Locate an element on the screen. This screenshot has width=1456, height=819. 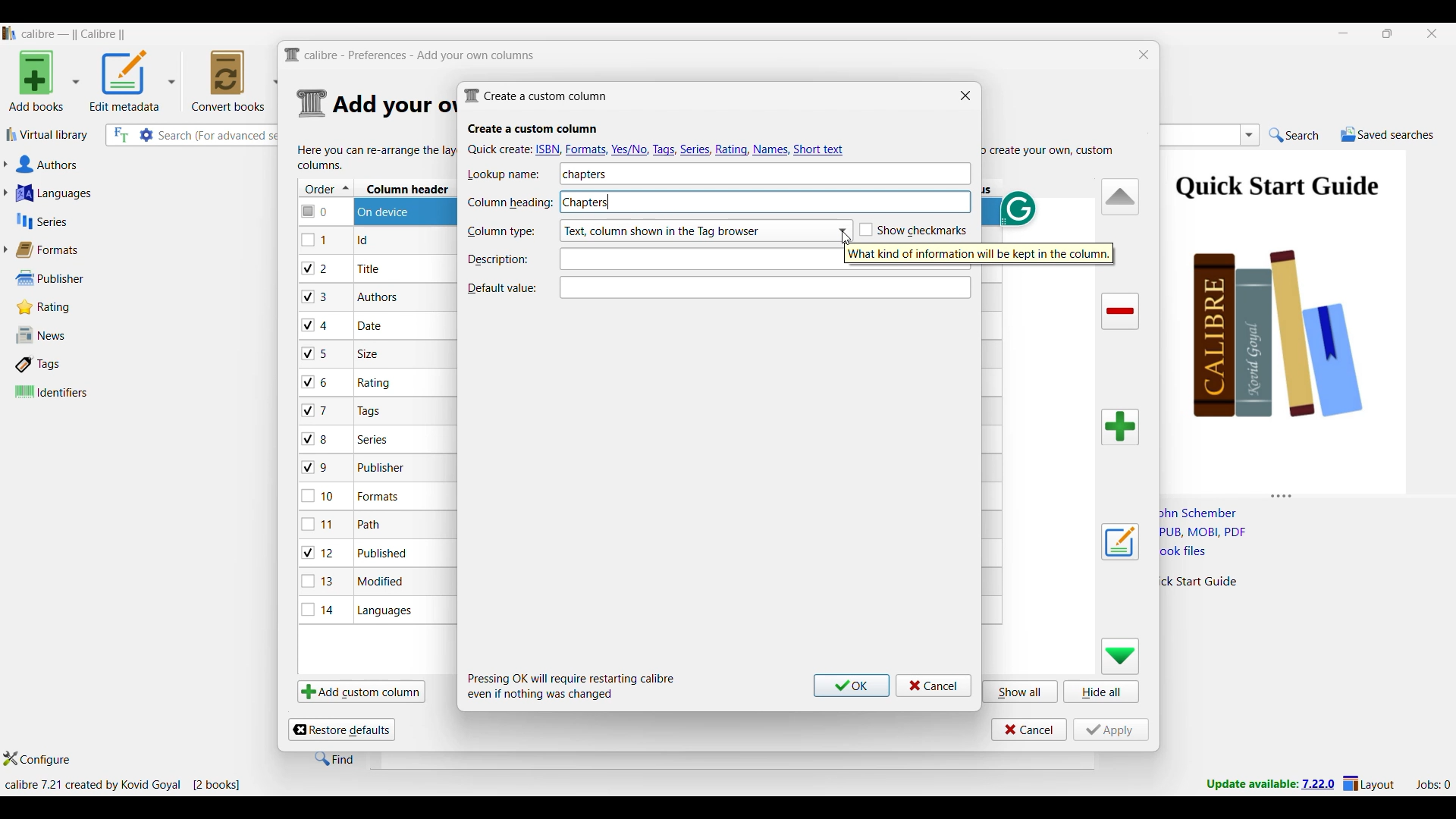
Input search here is located at coordinates (220, 136).